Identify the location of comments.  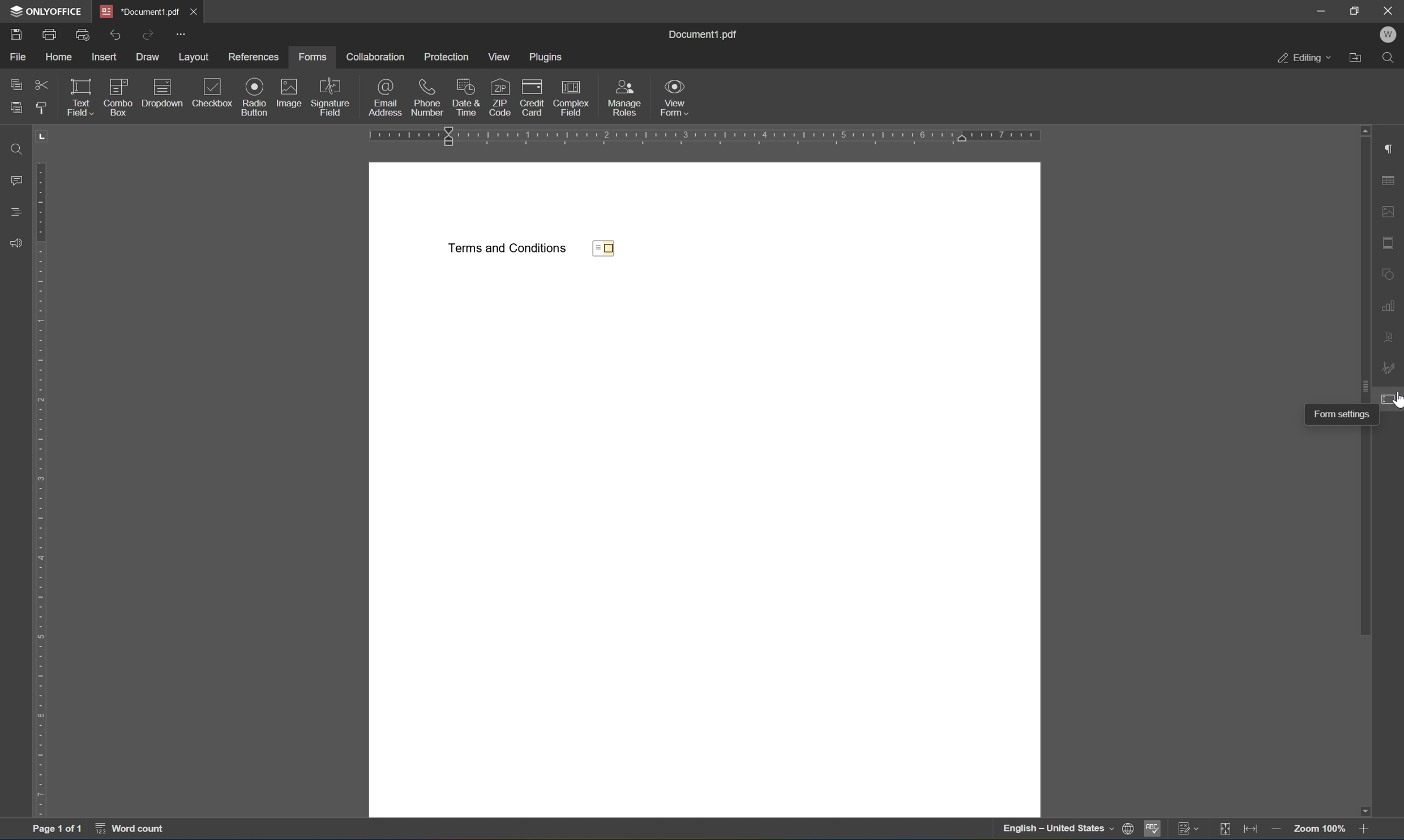
(16, 179).